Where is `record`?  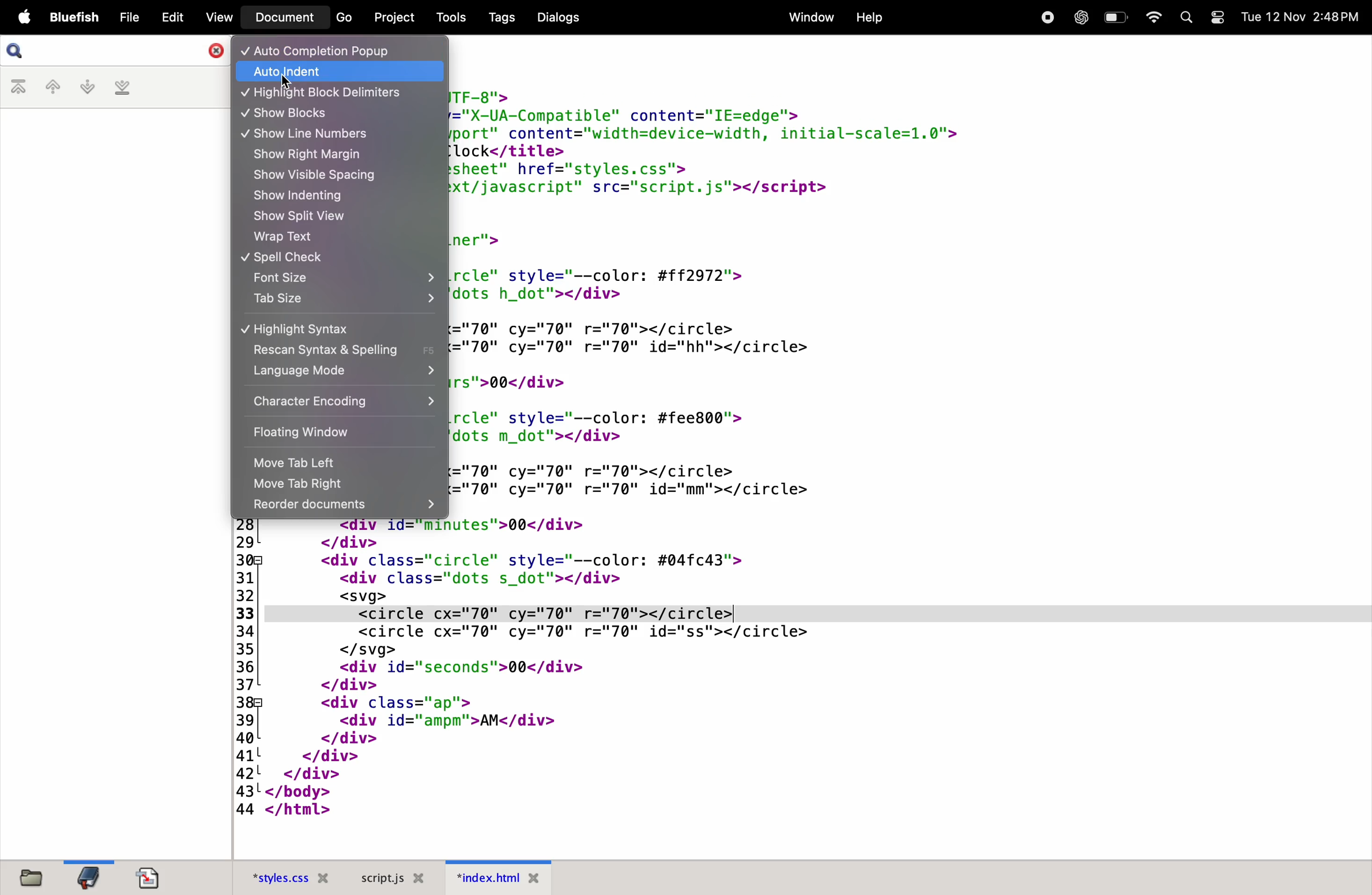
record is located at coordinates (1044, 17).